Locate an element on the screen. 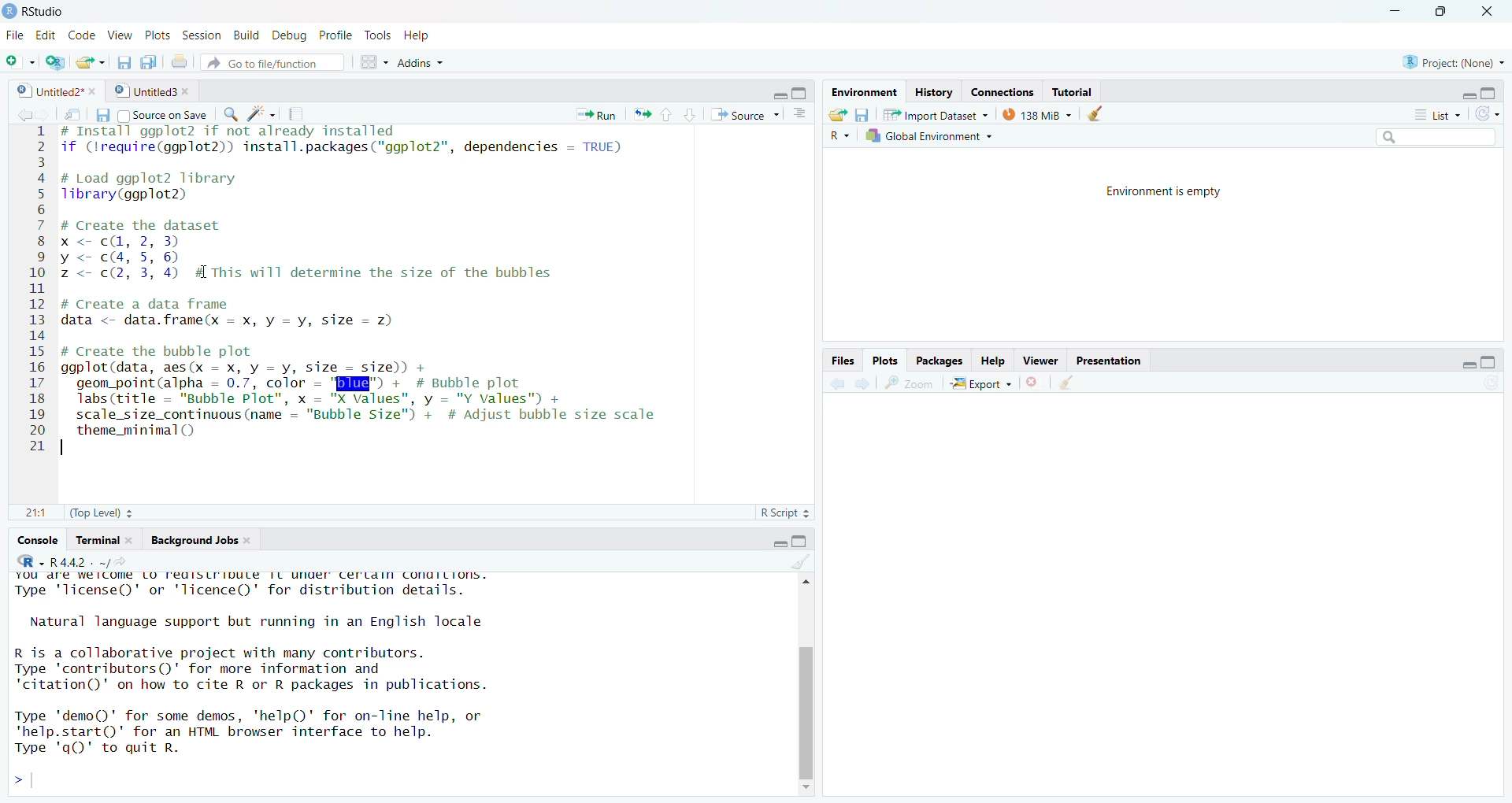 The image size is (1512, 803). = List  is located at coordinates (1429, 113).